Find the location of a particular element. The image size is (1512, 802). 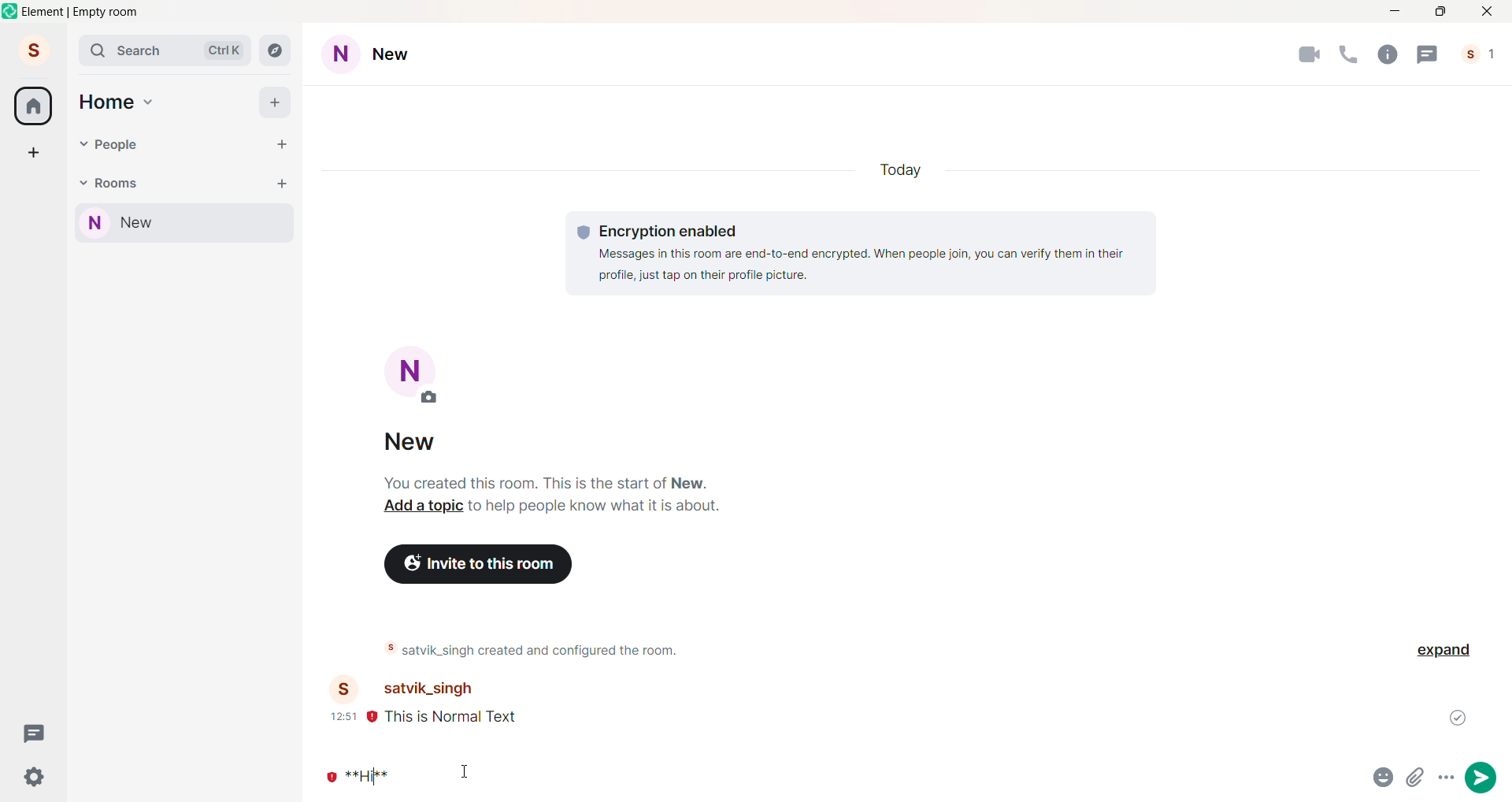

Close is located at coordinates (1488, 11).